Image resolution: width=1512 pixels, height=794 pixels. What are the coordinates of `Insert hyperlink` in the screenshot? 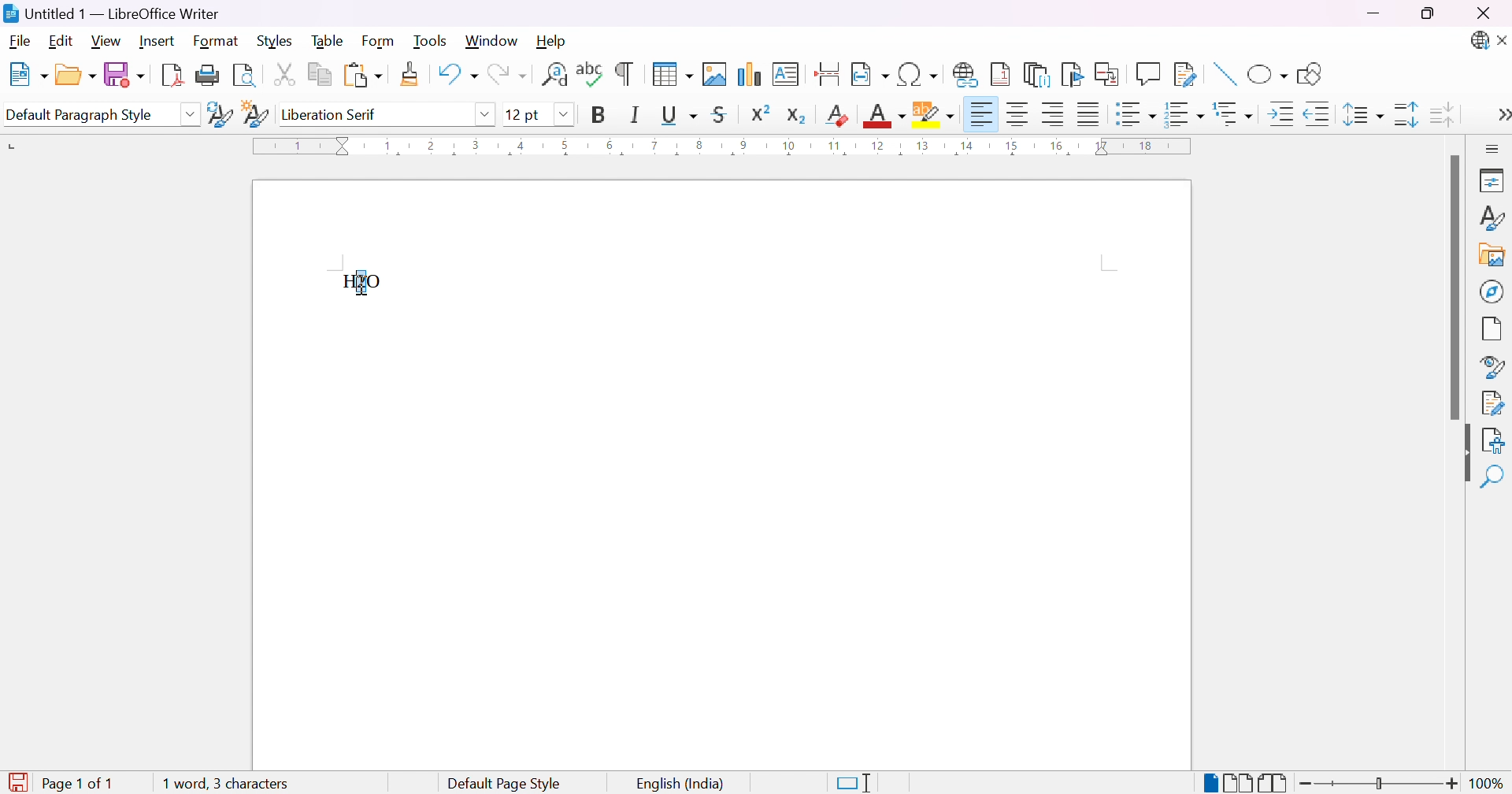 It's located at (966, 74).